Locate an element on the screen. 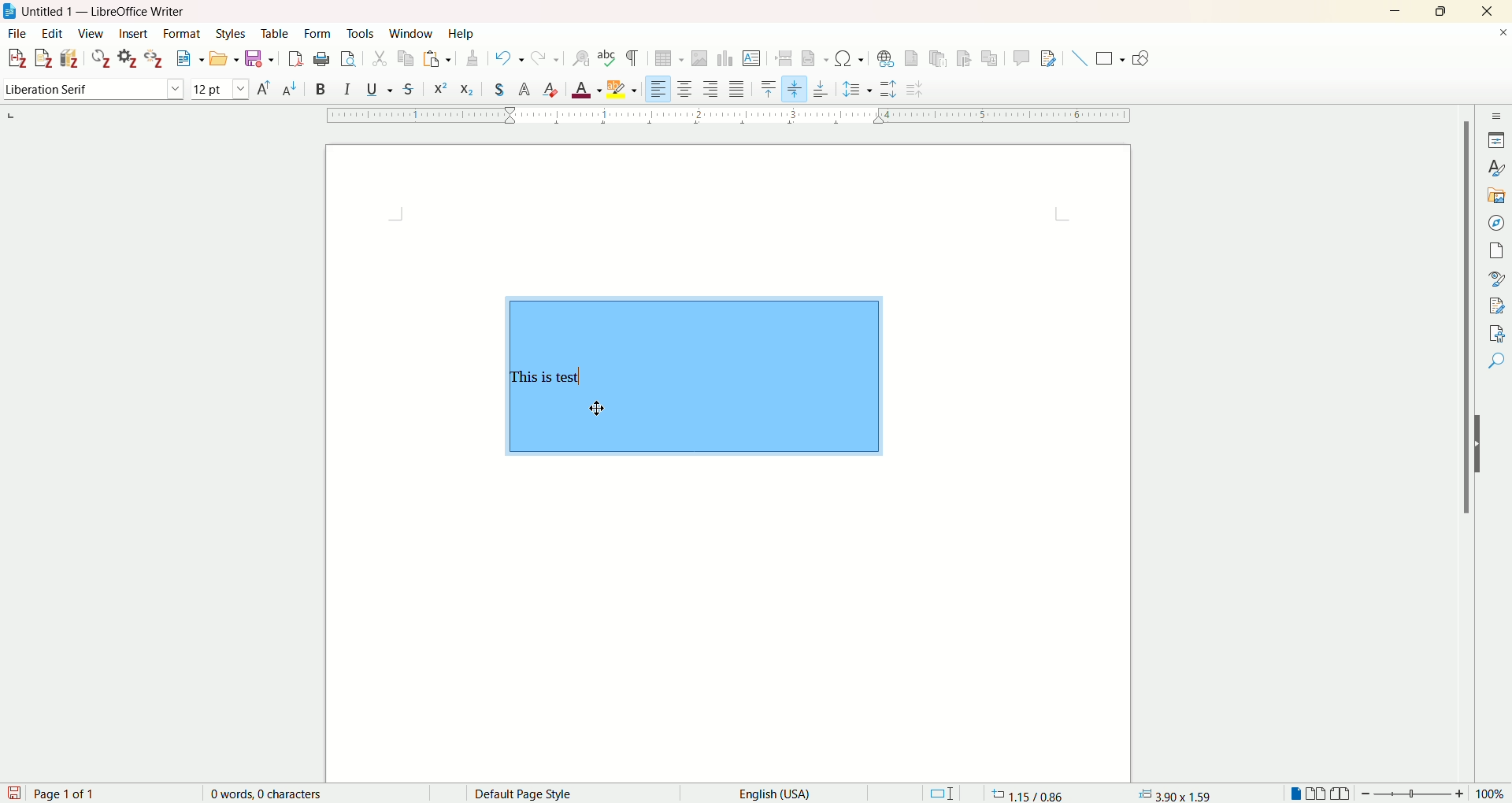  vertical scroll bar is located at coordinates (1462, 449).